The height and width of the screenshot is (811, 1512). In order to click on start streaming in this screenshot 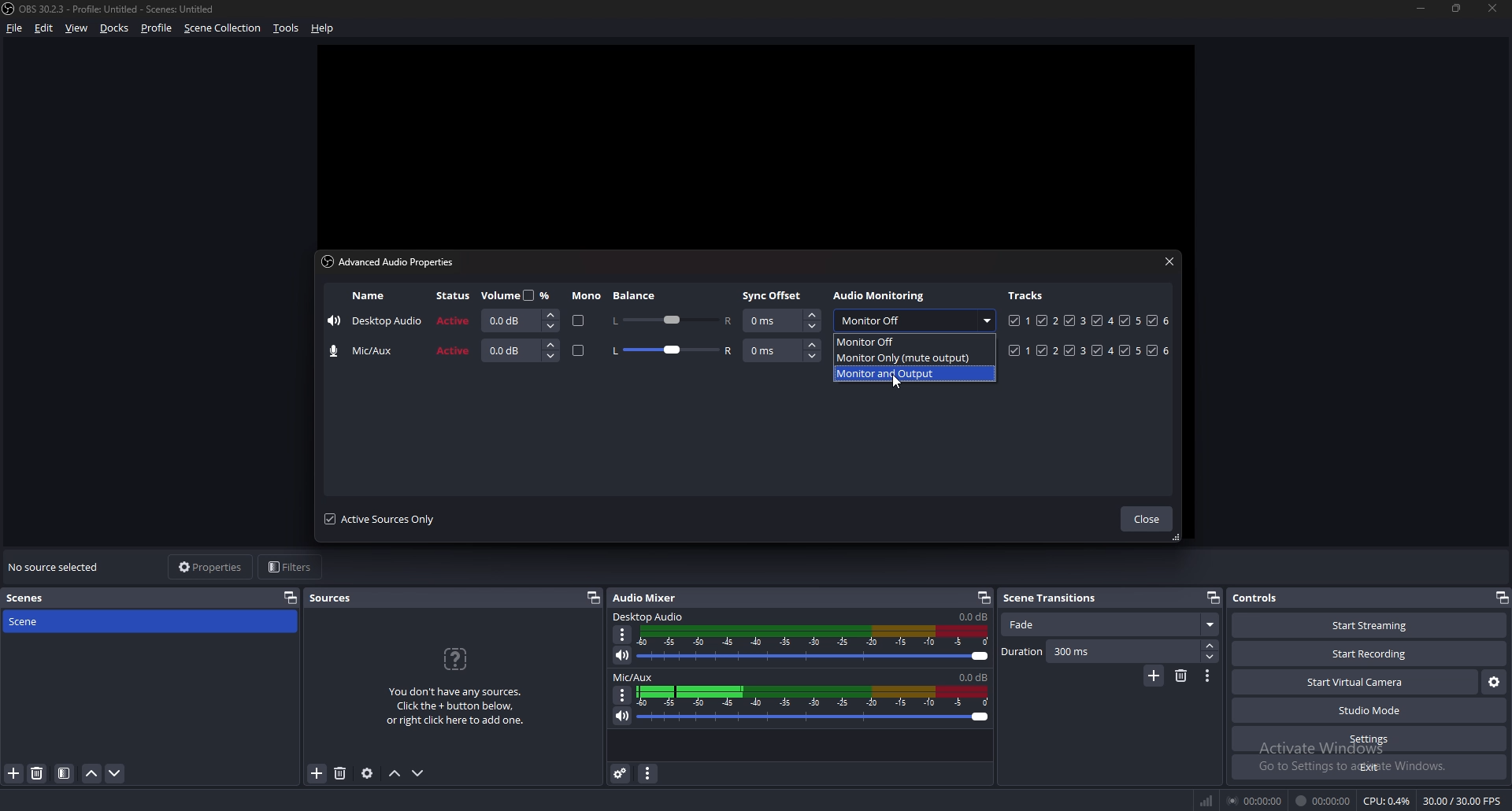, I will do `click(1360, 626)`.